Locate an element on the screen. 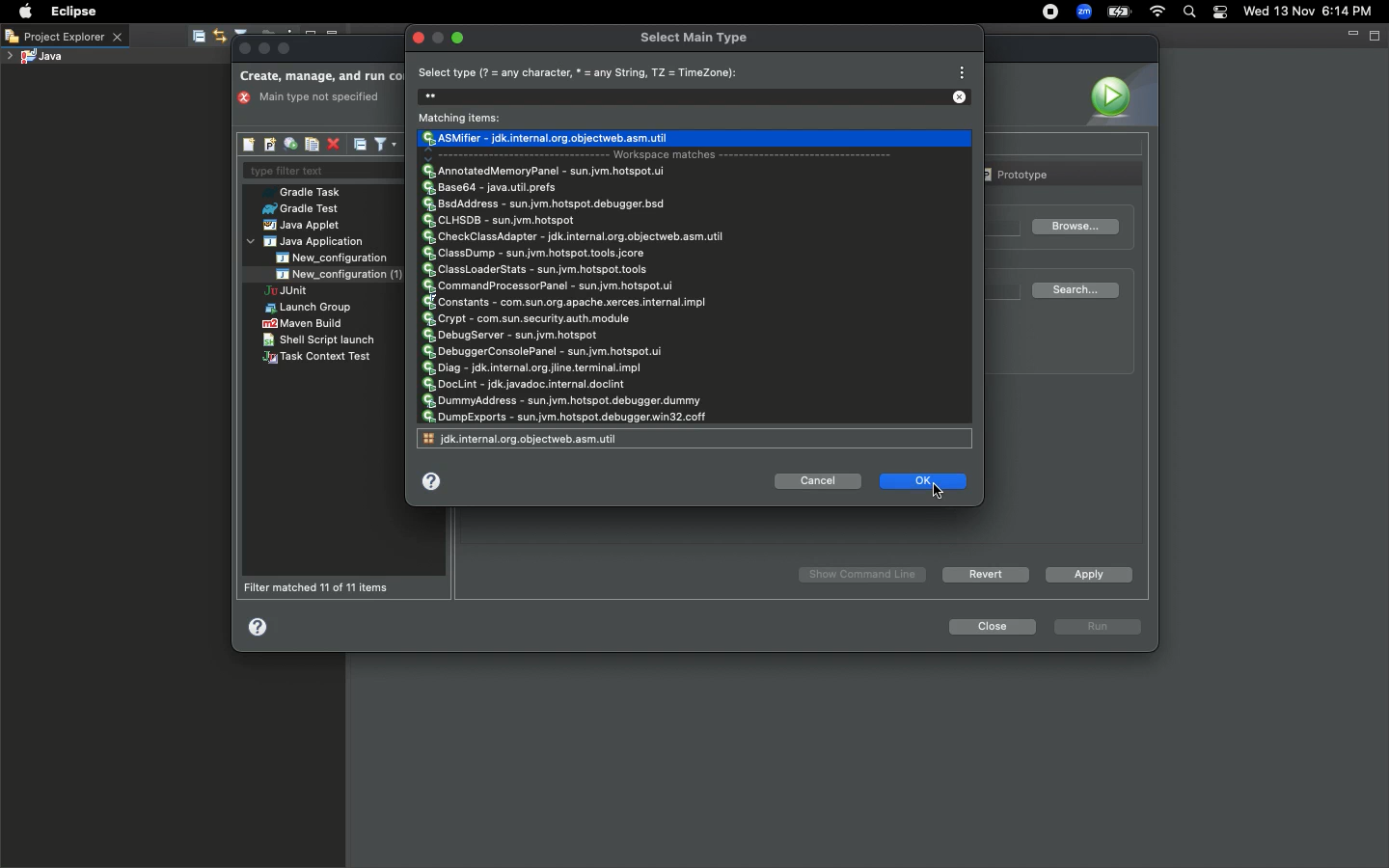  DumpExports - sun.jvm.hotspot.debugger.win32.coff is located at coordinates (563, 418).